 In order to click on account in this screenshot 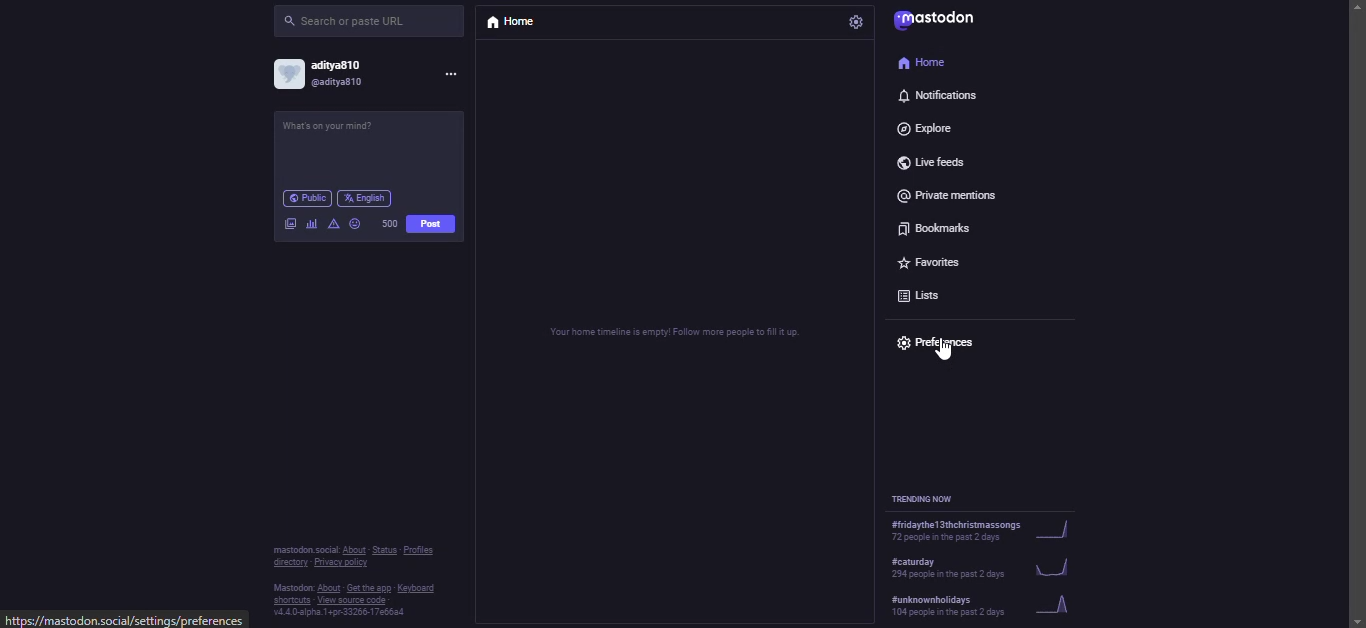, I will do `click(331, 76)`.